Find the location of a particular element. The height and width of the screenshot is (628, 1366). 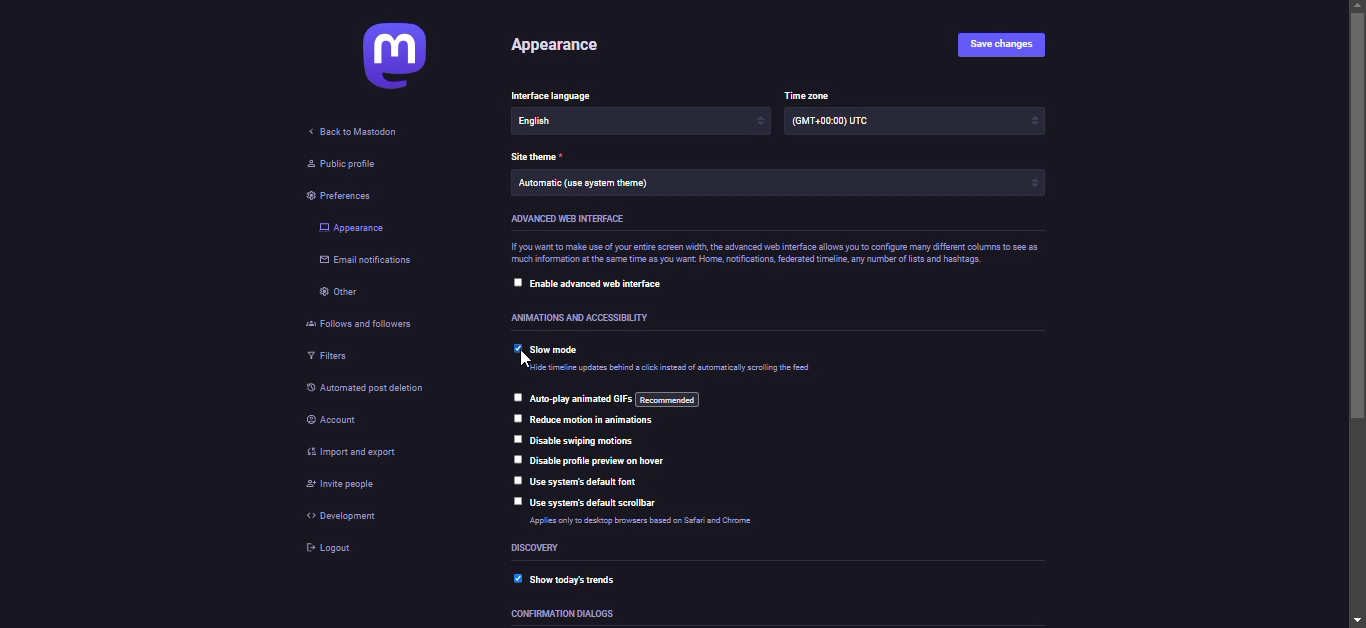

theme is located at coordinates (544, 157).